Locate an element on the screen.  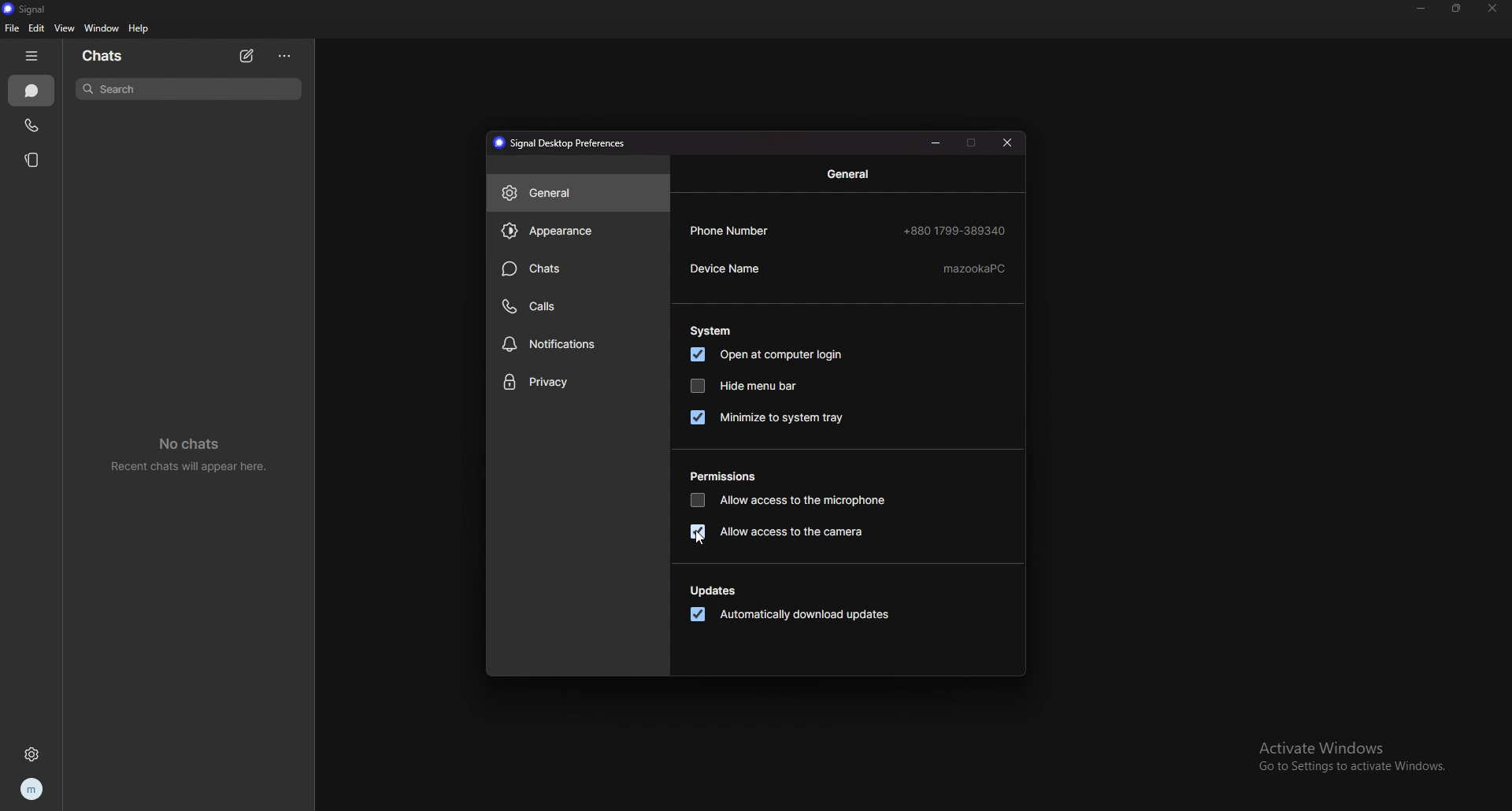
privacy is located at coordinates (577, 383).